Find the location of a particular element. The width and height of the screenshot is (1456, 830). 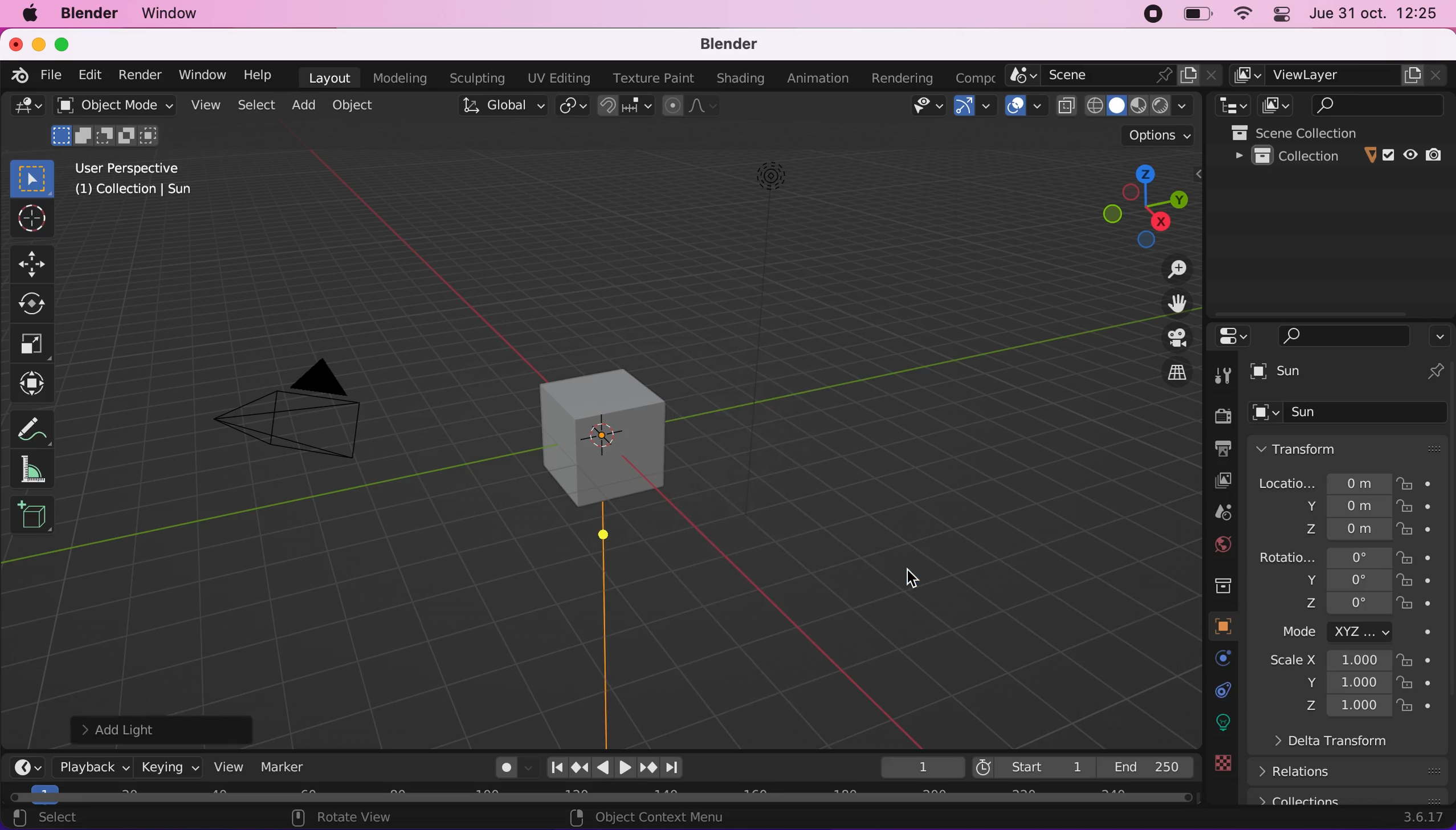

keying is located at coordinates (168, 765).